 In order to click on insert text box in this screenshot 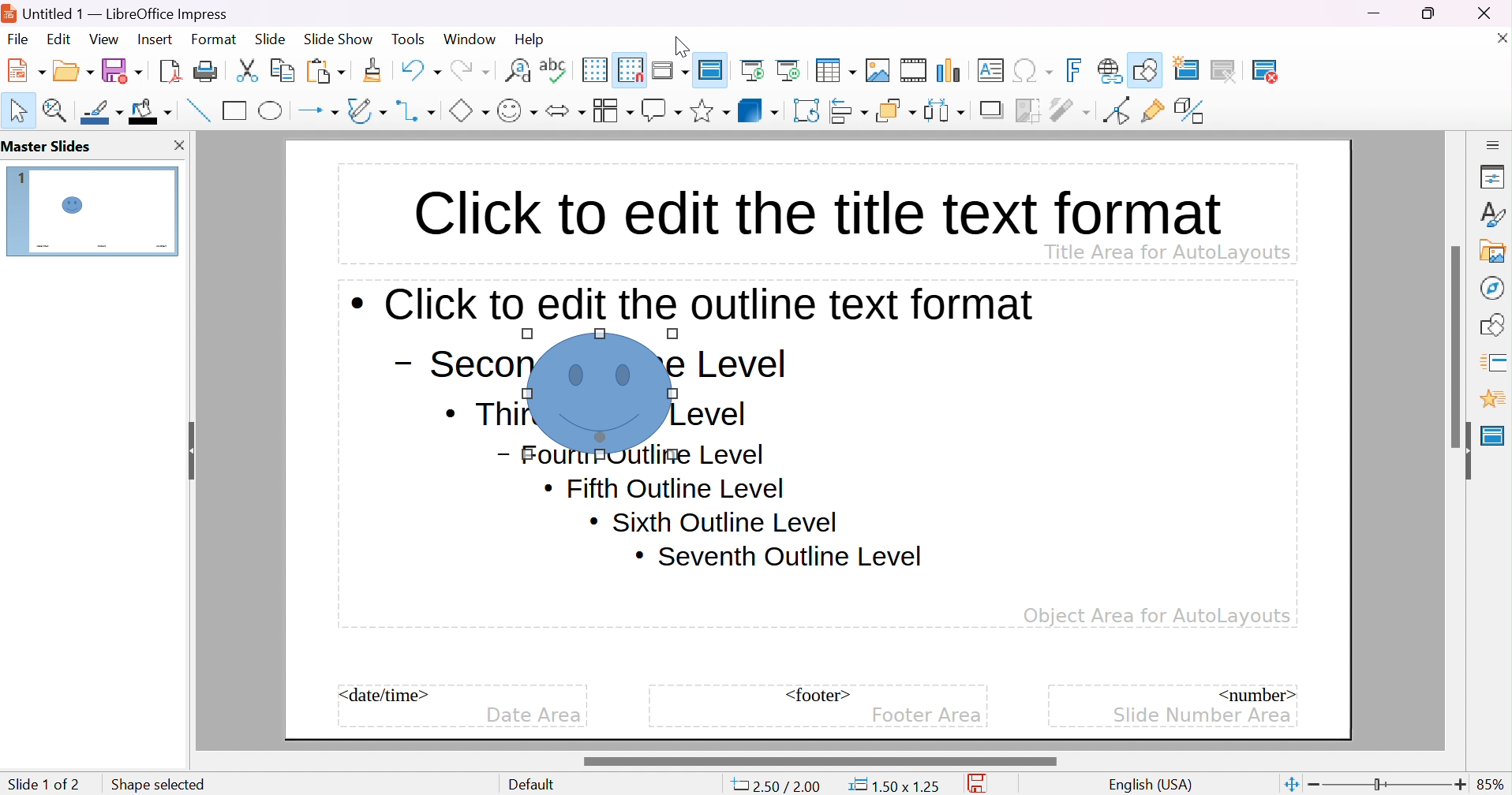, I will do `click(990, 69)`.